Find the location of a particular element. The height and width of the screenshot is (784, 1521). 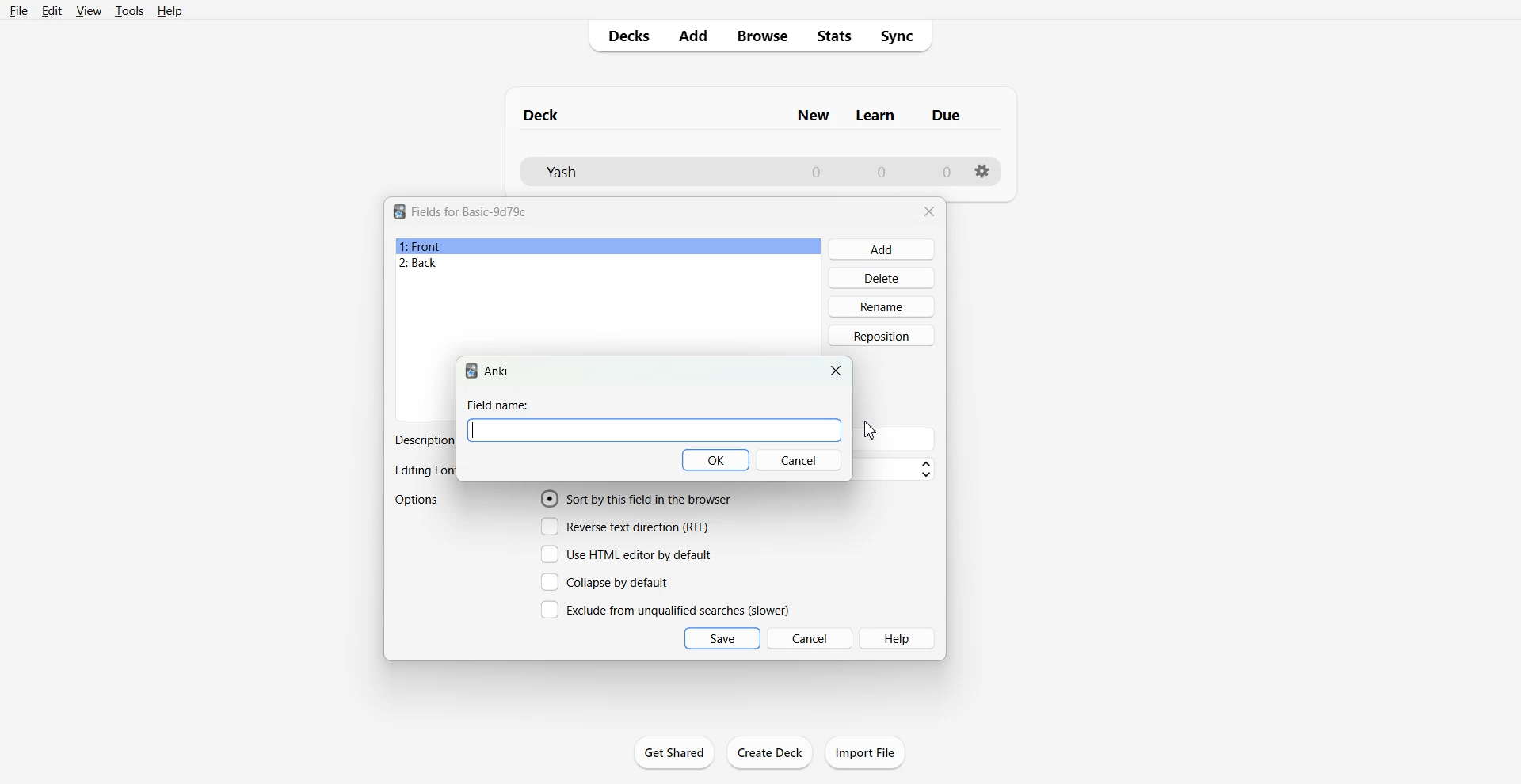

Cancel is located at coordinates (799, 460).